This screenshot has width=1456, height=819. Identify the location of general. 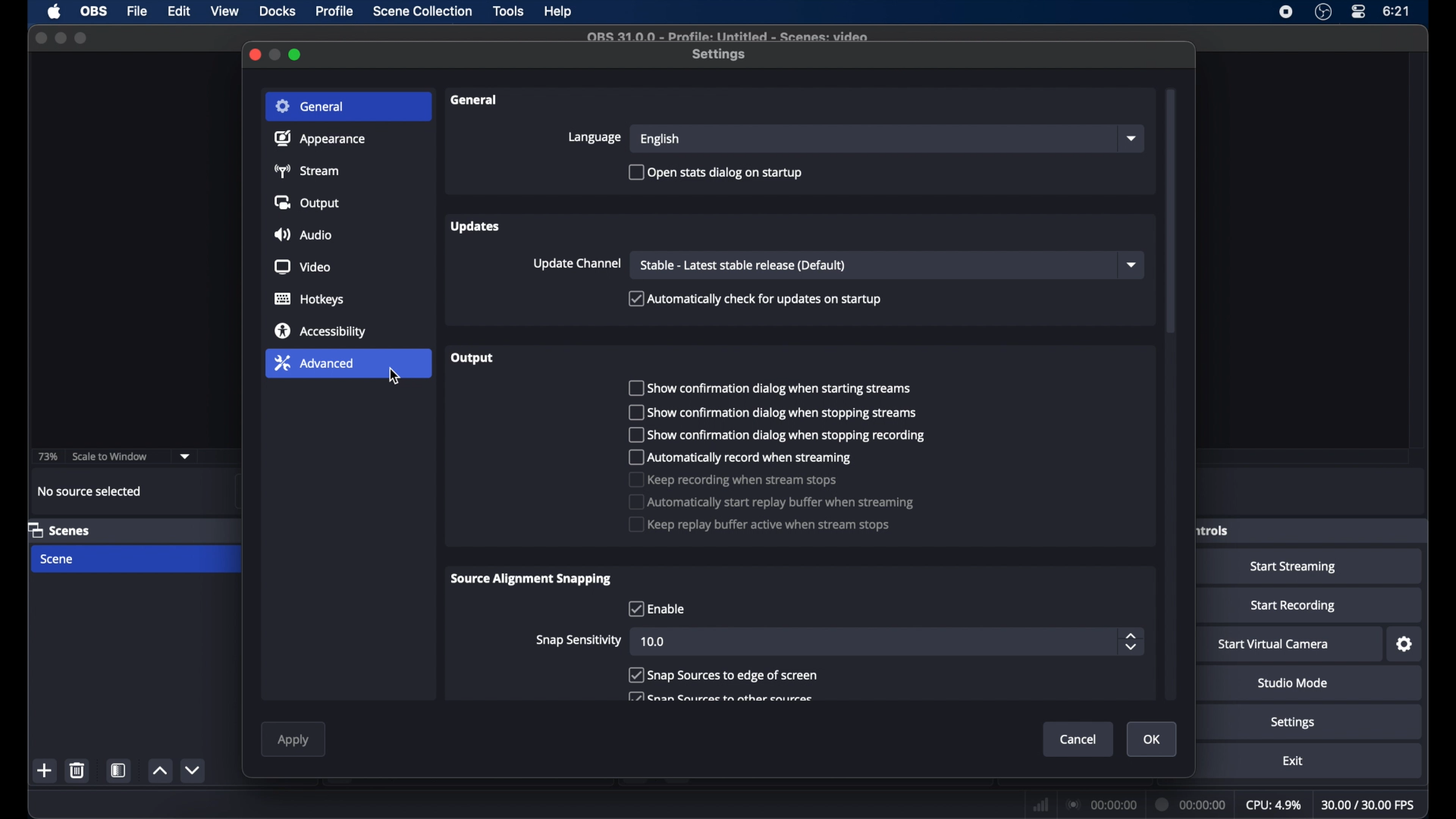
(310, 106).